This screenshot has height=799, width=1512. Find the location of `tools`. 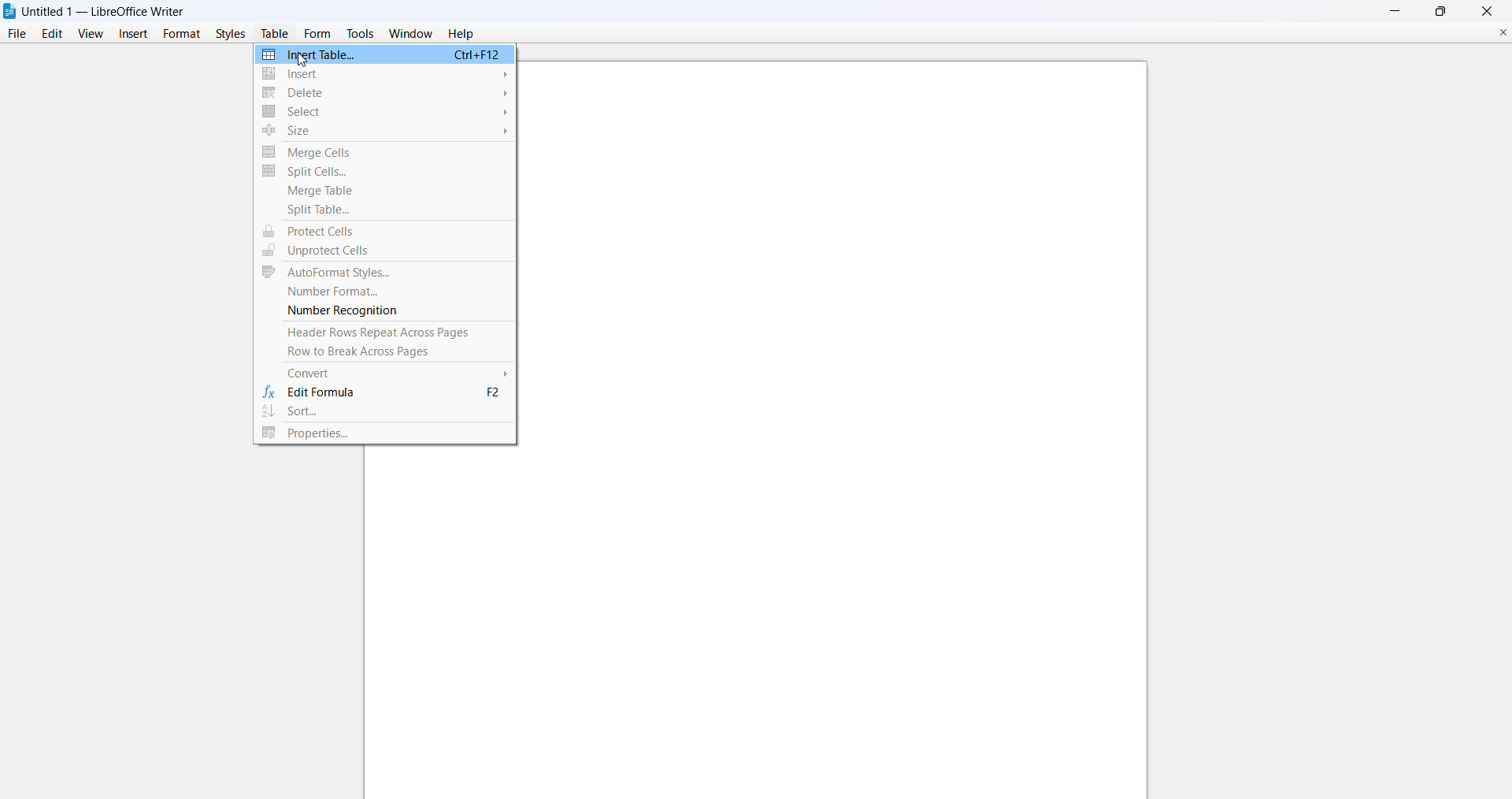

tools is located at coordinates (361, 33).